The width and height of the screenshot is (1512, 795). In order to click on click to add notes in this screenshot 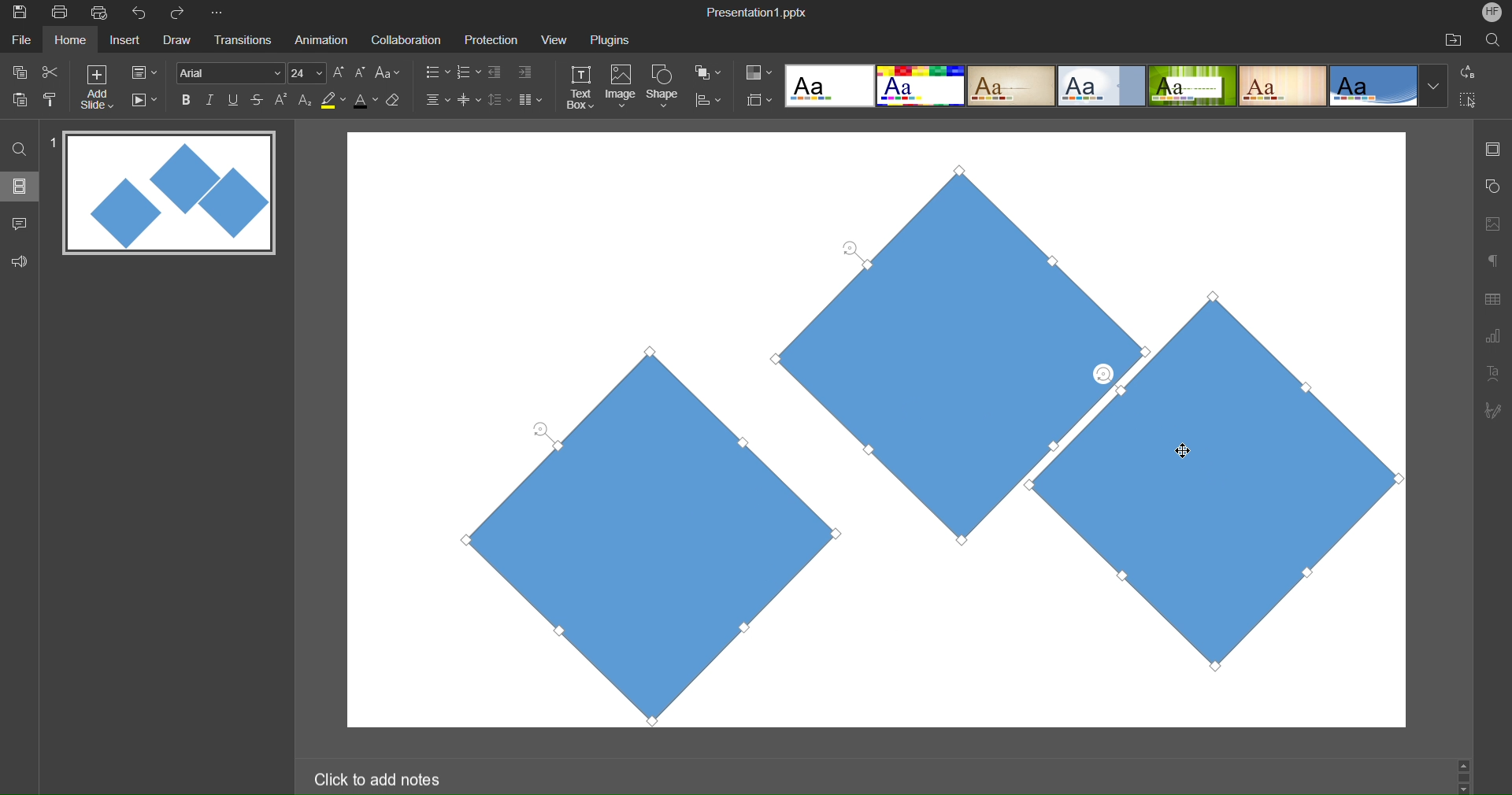, I will do `click(380, 778)`.